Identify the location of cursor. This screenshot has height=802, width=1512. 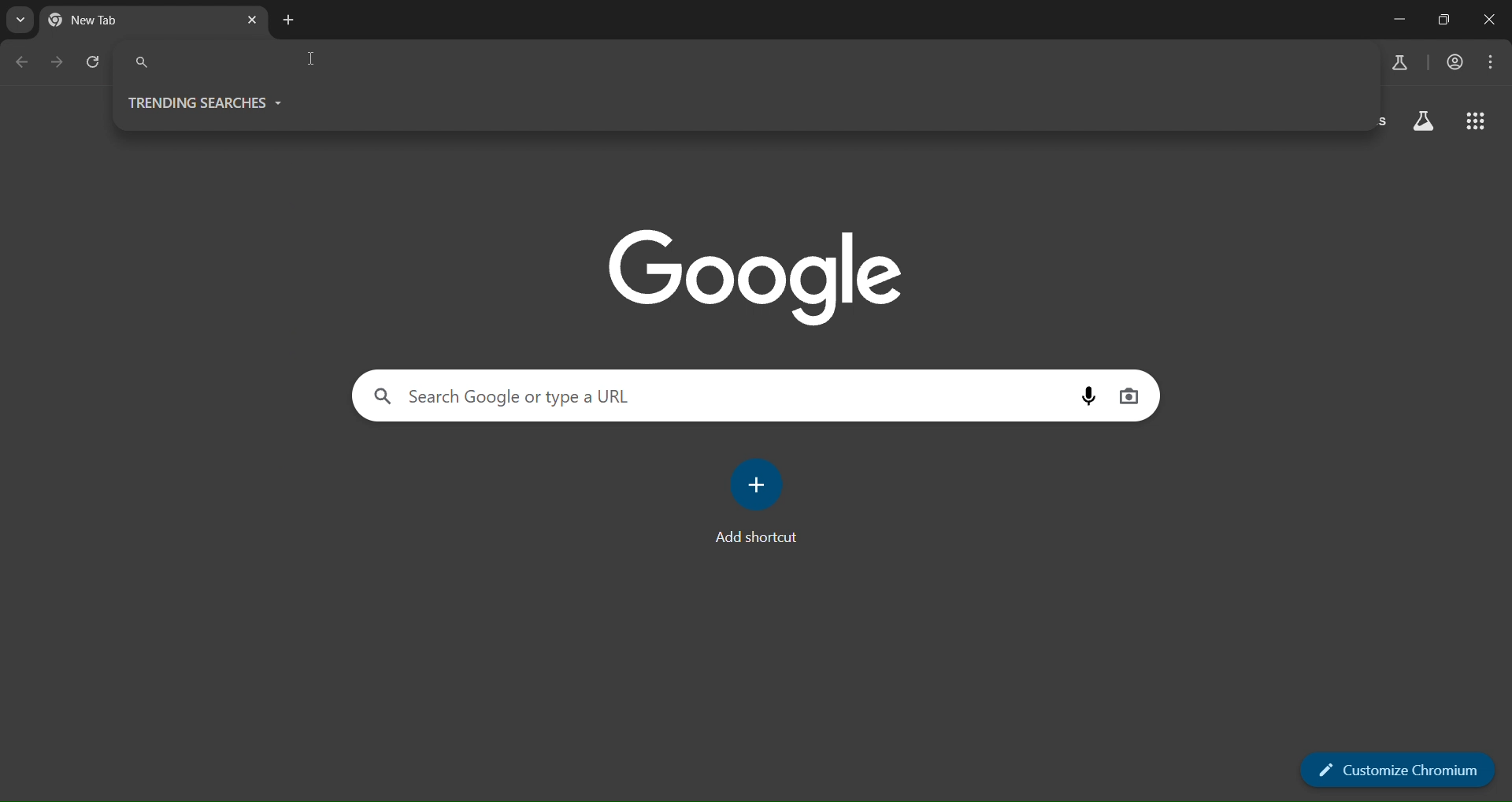
(315, 61).